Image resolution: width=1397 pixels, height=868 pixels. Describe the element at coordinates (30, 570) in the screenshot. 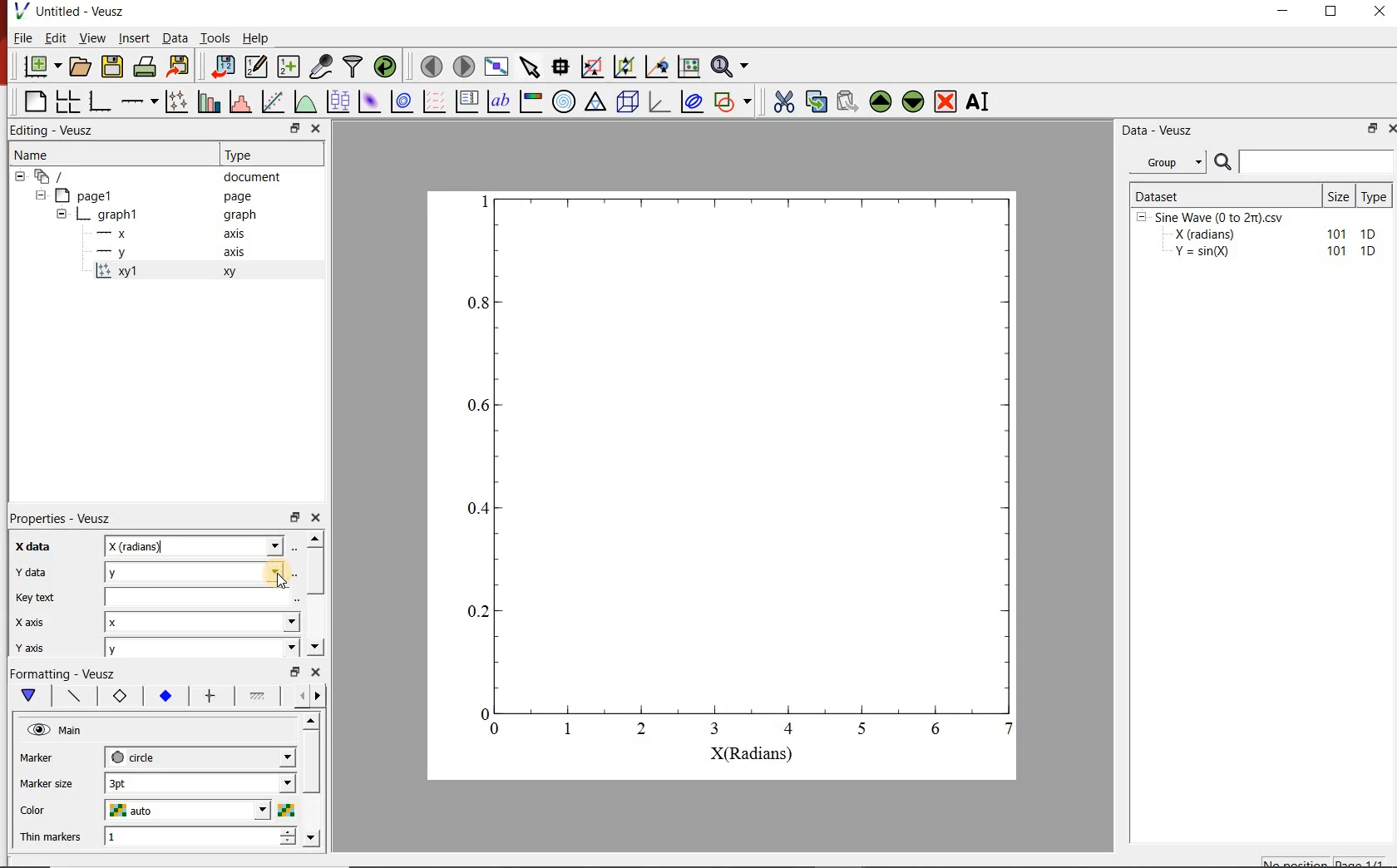

I see `Min` at that location.